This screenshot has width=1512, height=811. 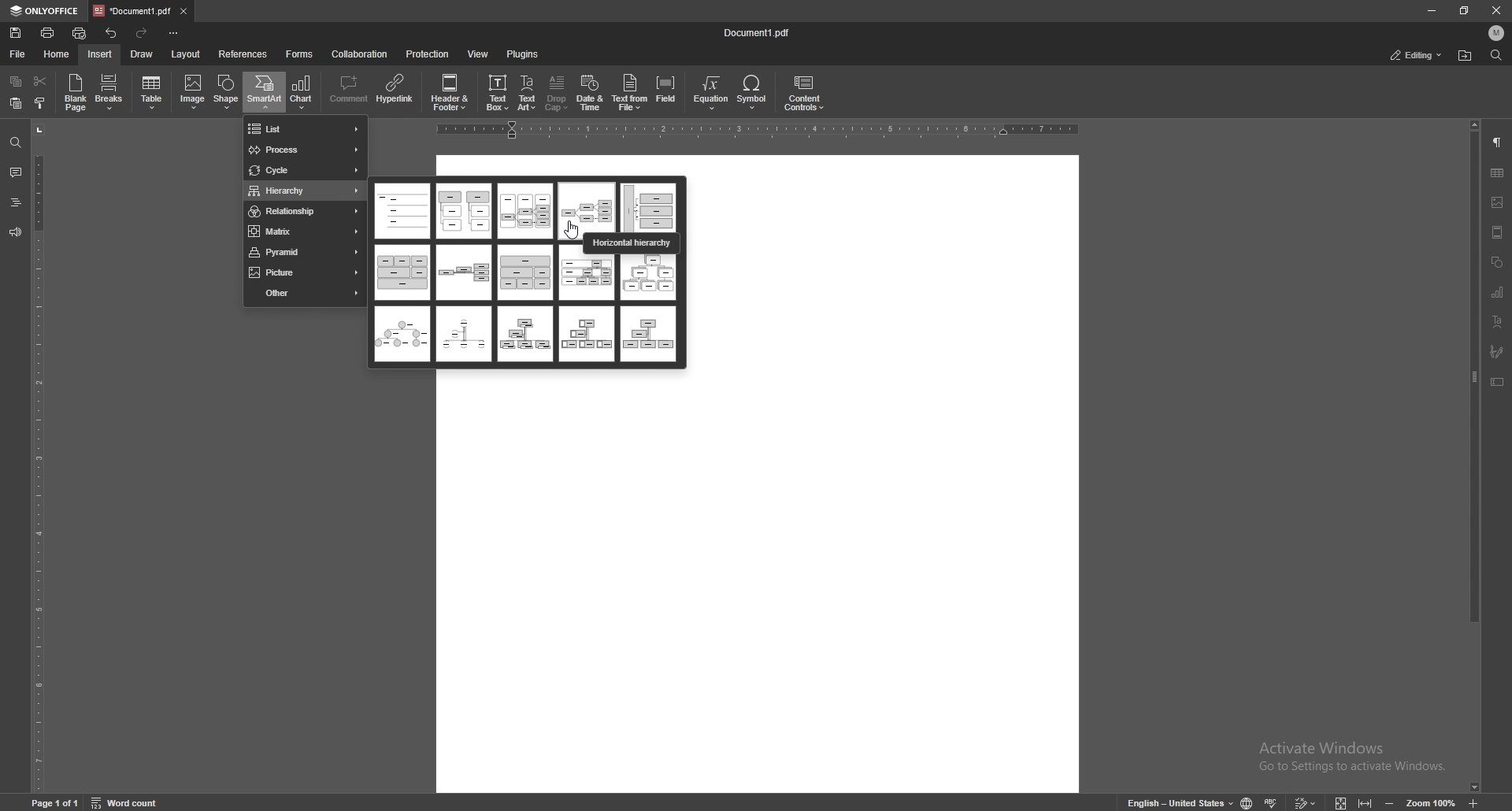 I want to click on layout, so click(x=187, y=54).